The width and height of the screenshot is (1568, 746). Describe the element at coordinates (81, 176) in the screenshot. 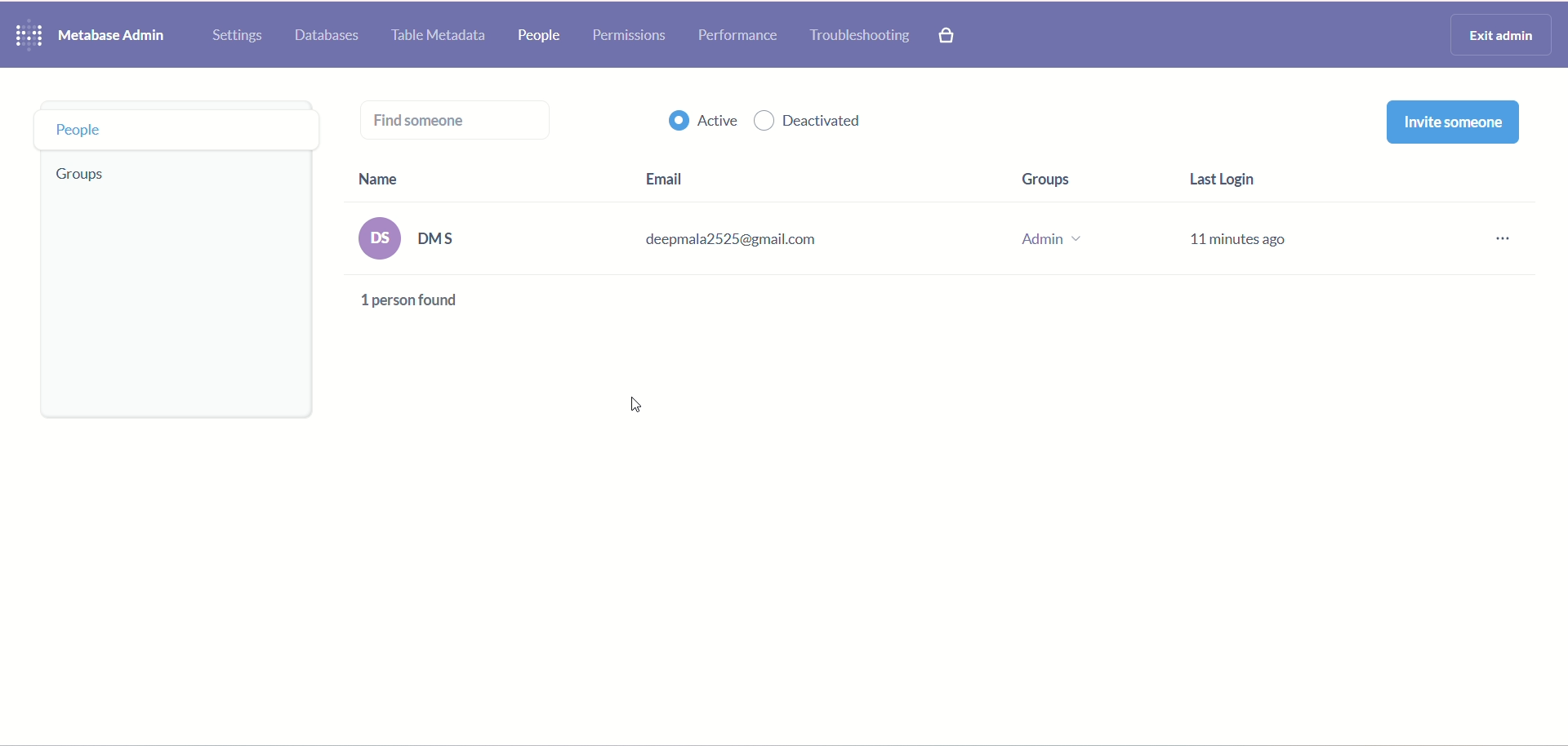

I see `groups` at that location.